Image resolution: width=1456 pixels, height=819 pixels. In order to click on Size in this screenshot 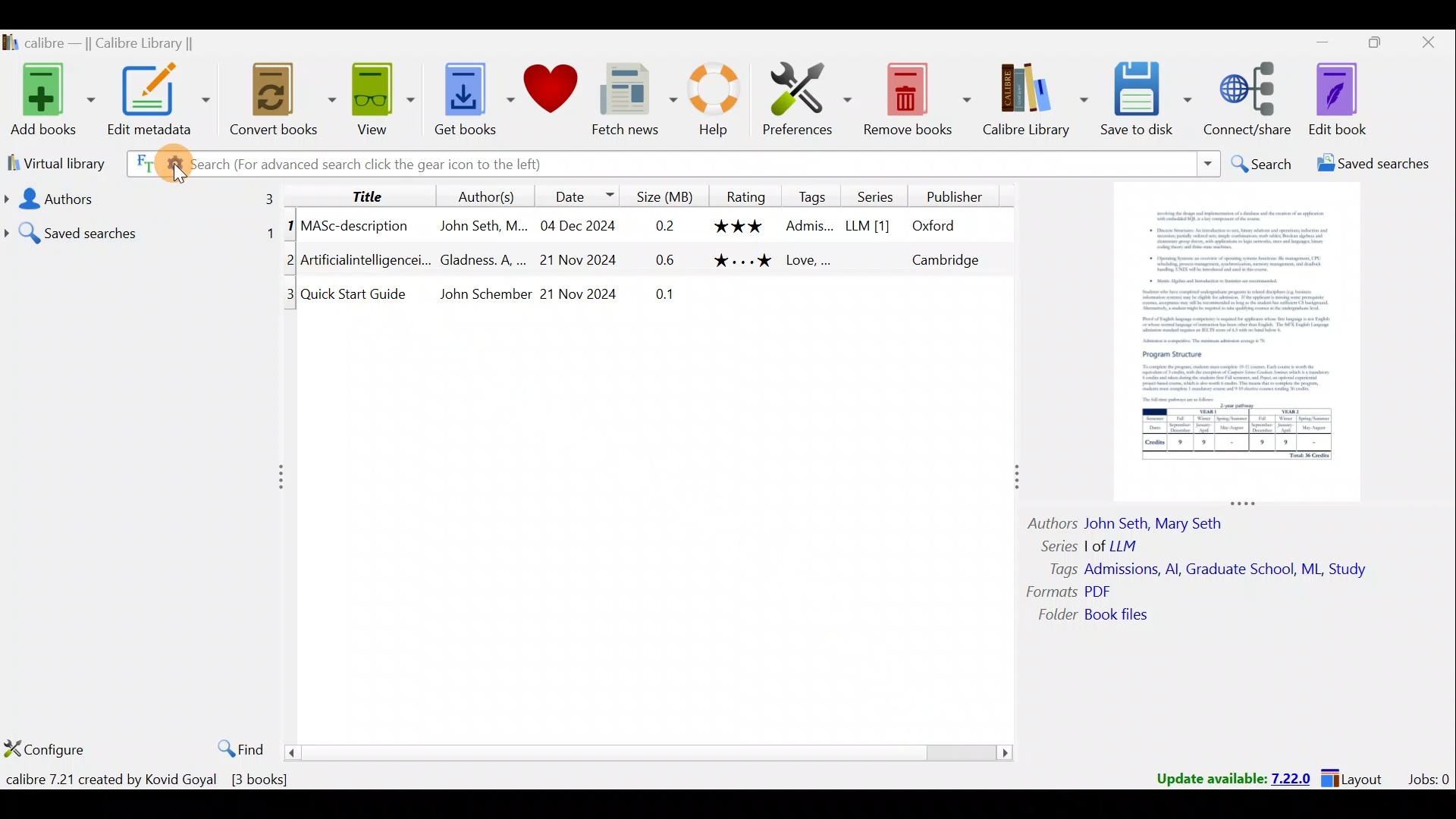, I will do `click(661, 195)`.